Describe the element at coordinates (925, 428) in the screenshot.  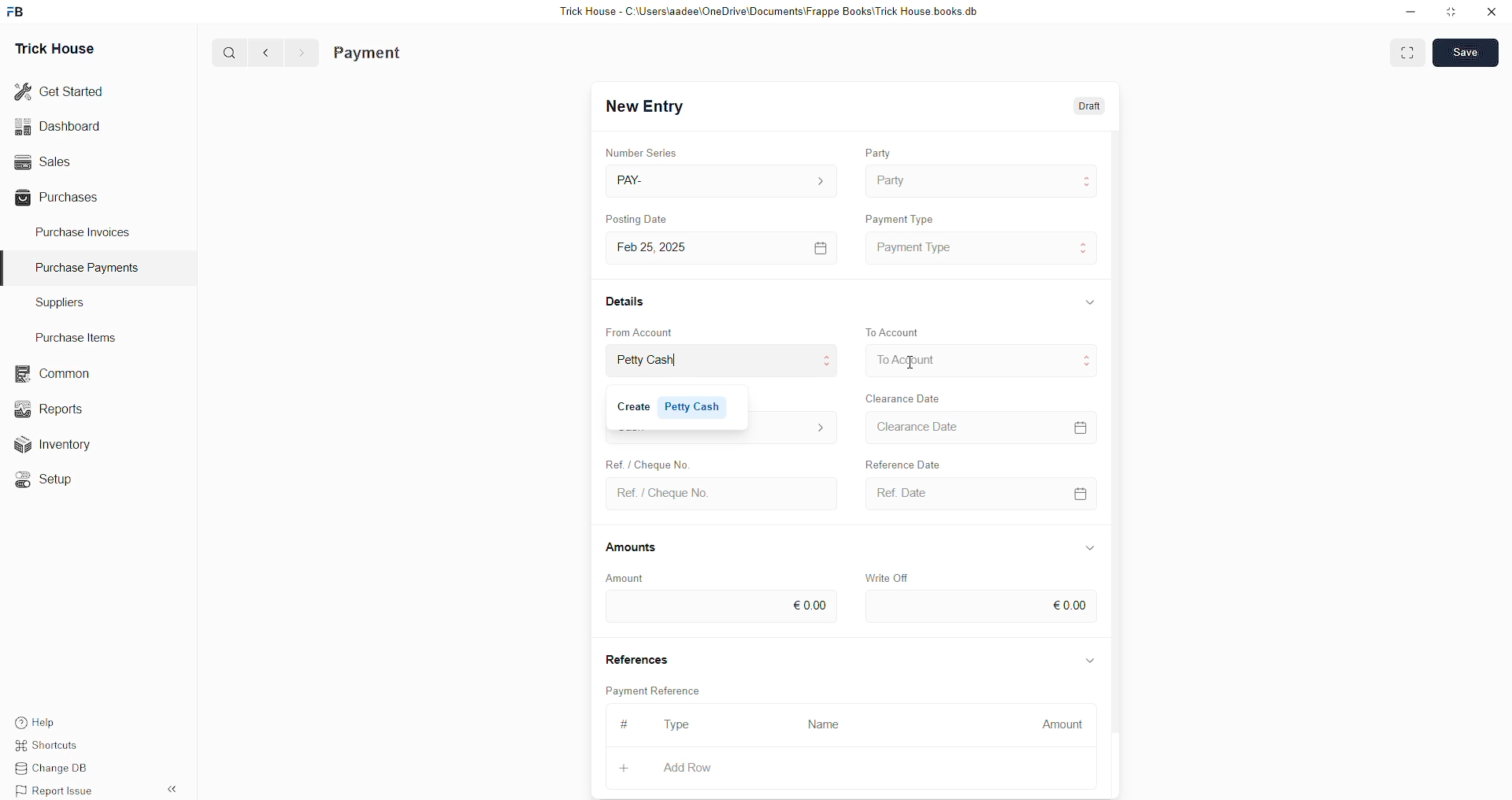
I see `Clearance Date` at that location.